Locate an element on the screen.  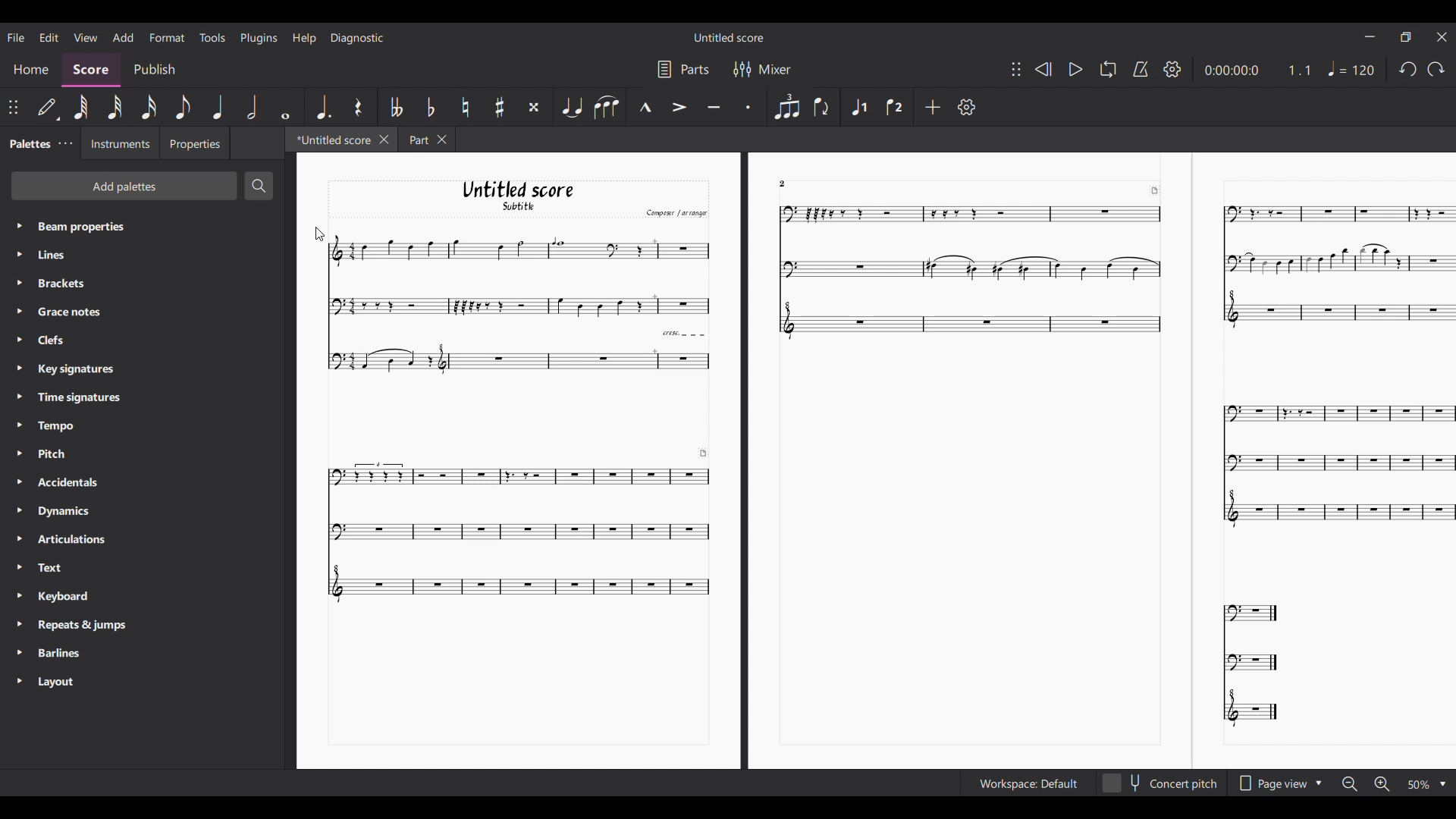
Properties is located at coordinates (194, 143).